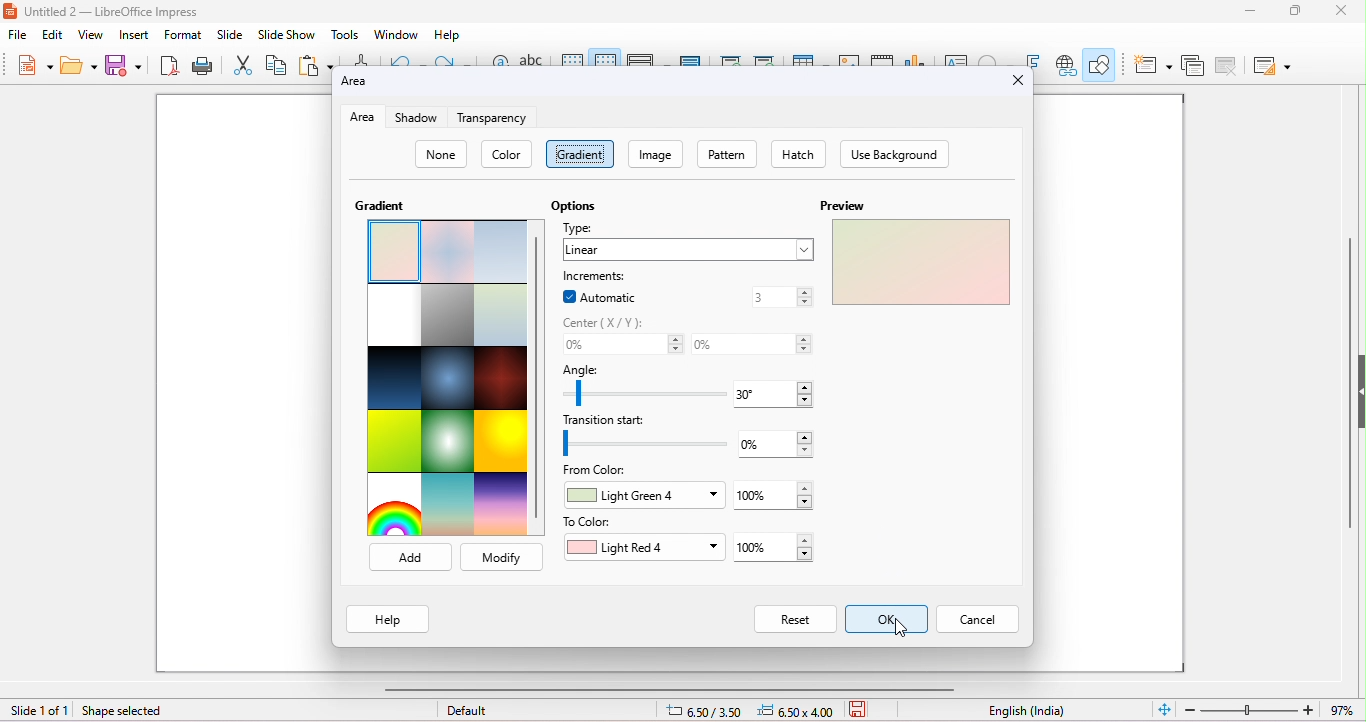  Describe the element at coordinates (167, 64) in the screenshot. I see `export pdf` at that location.